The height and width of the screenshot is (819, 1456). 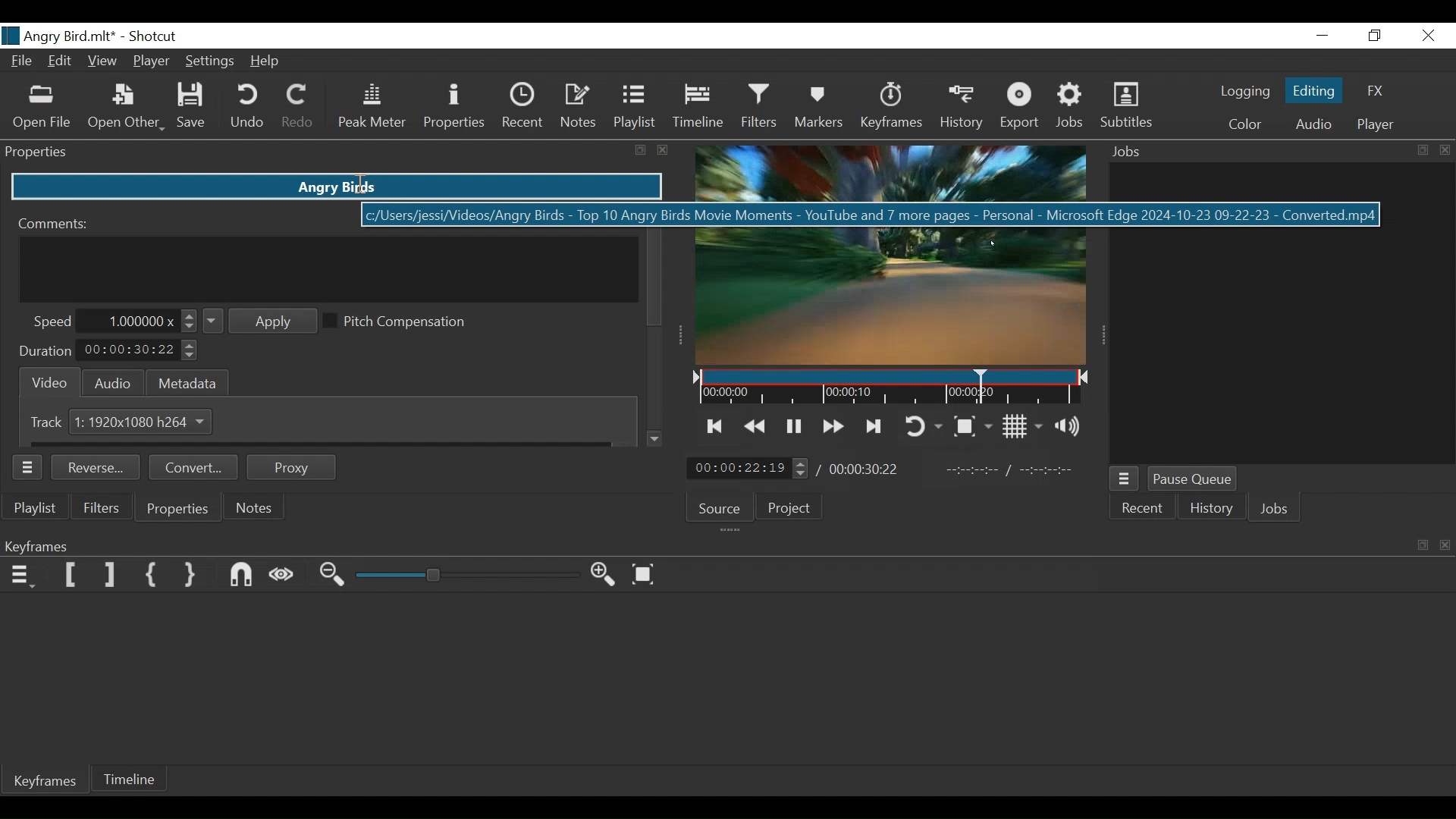 What do you see at coordinates (466, 576) in the screenshot?
I see `Zoom slider` at bounding box center [466, 576].